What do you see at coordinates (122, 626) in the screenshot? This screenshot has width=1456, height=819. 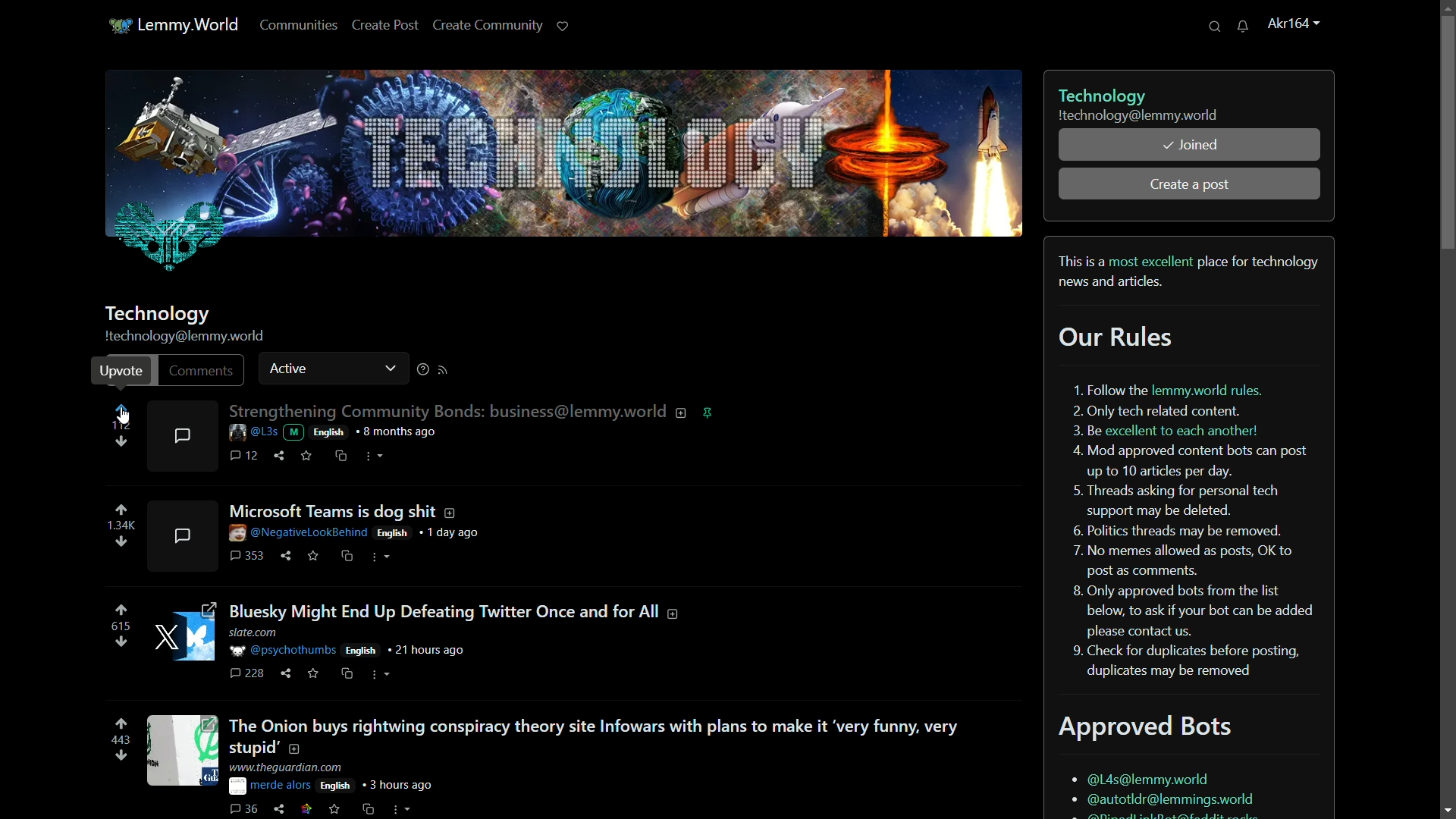 I see `number of votes` at bounding box center [122, 626].